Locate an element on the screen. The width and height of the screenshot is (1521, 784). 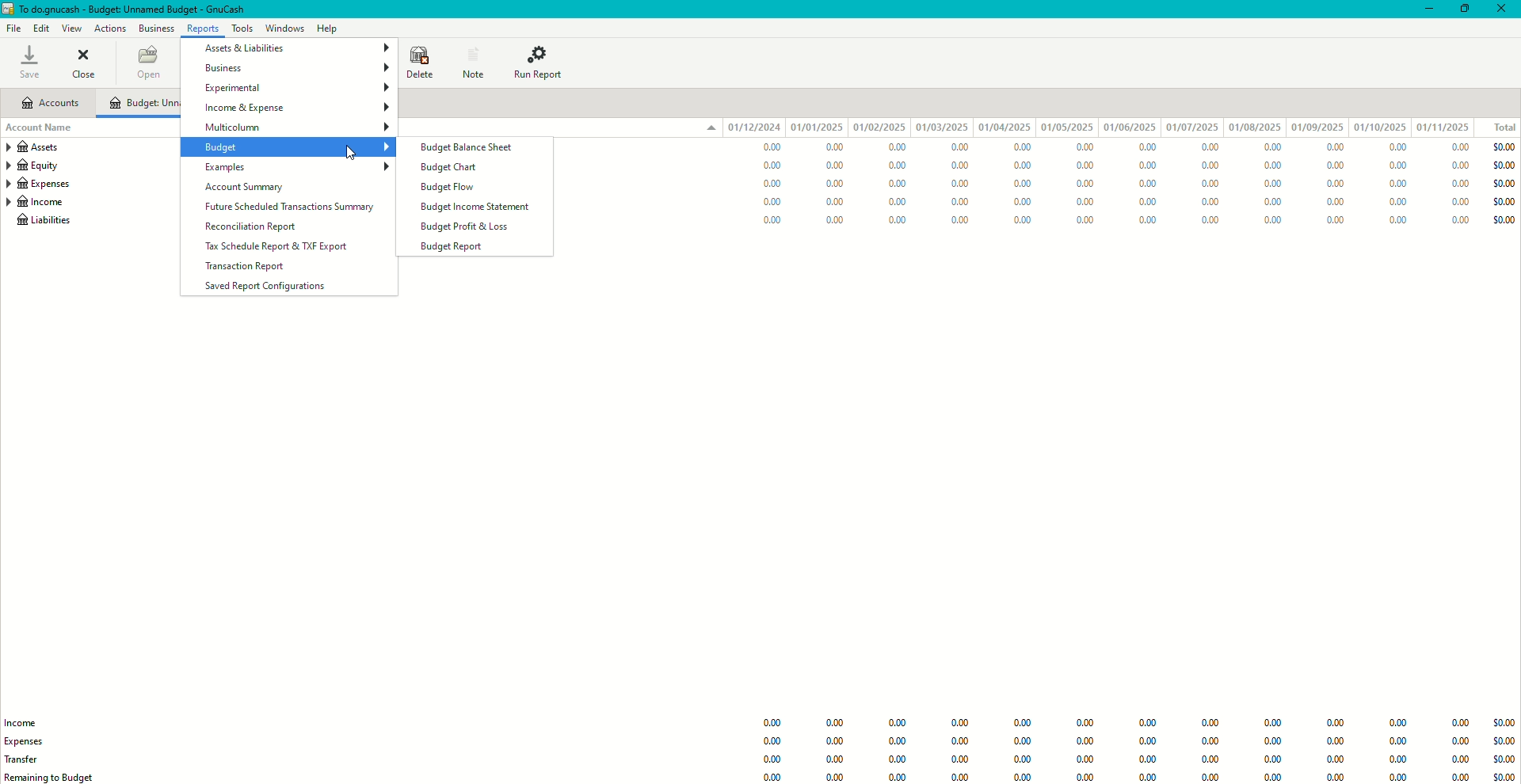
0.00 is located at coordinates (1020, 724).